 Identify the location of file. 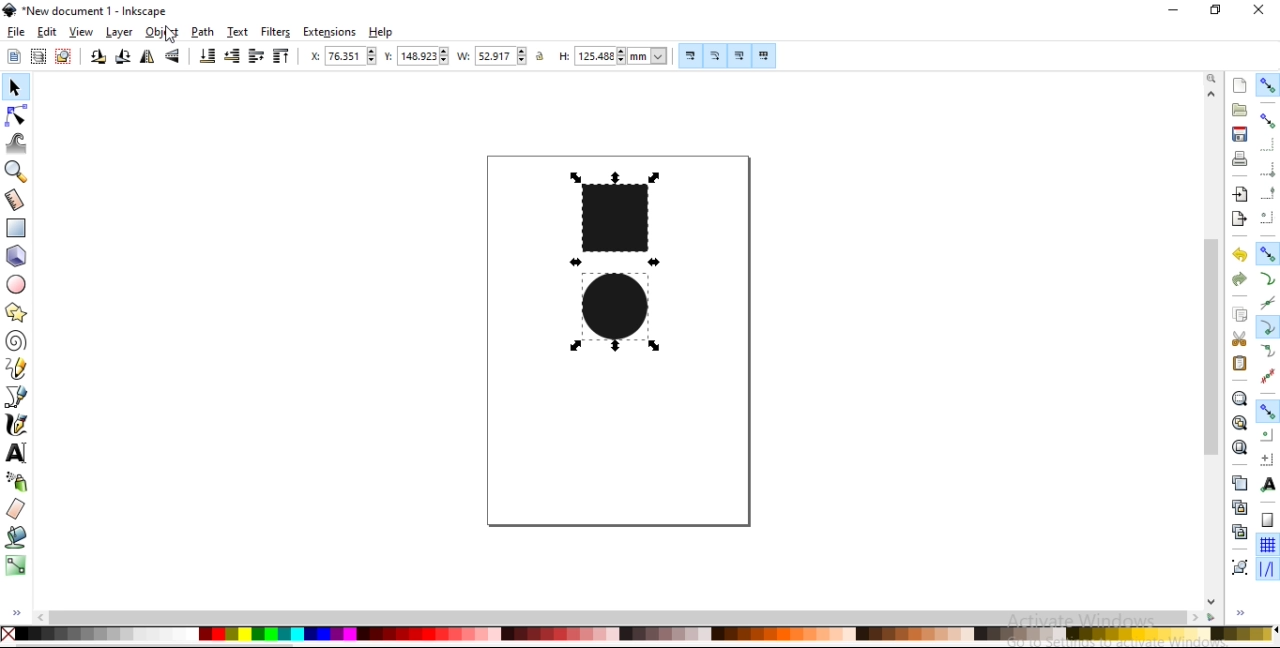
(17, 32).